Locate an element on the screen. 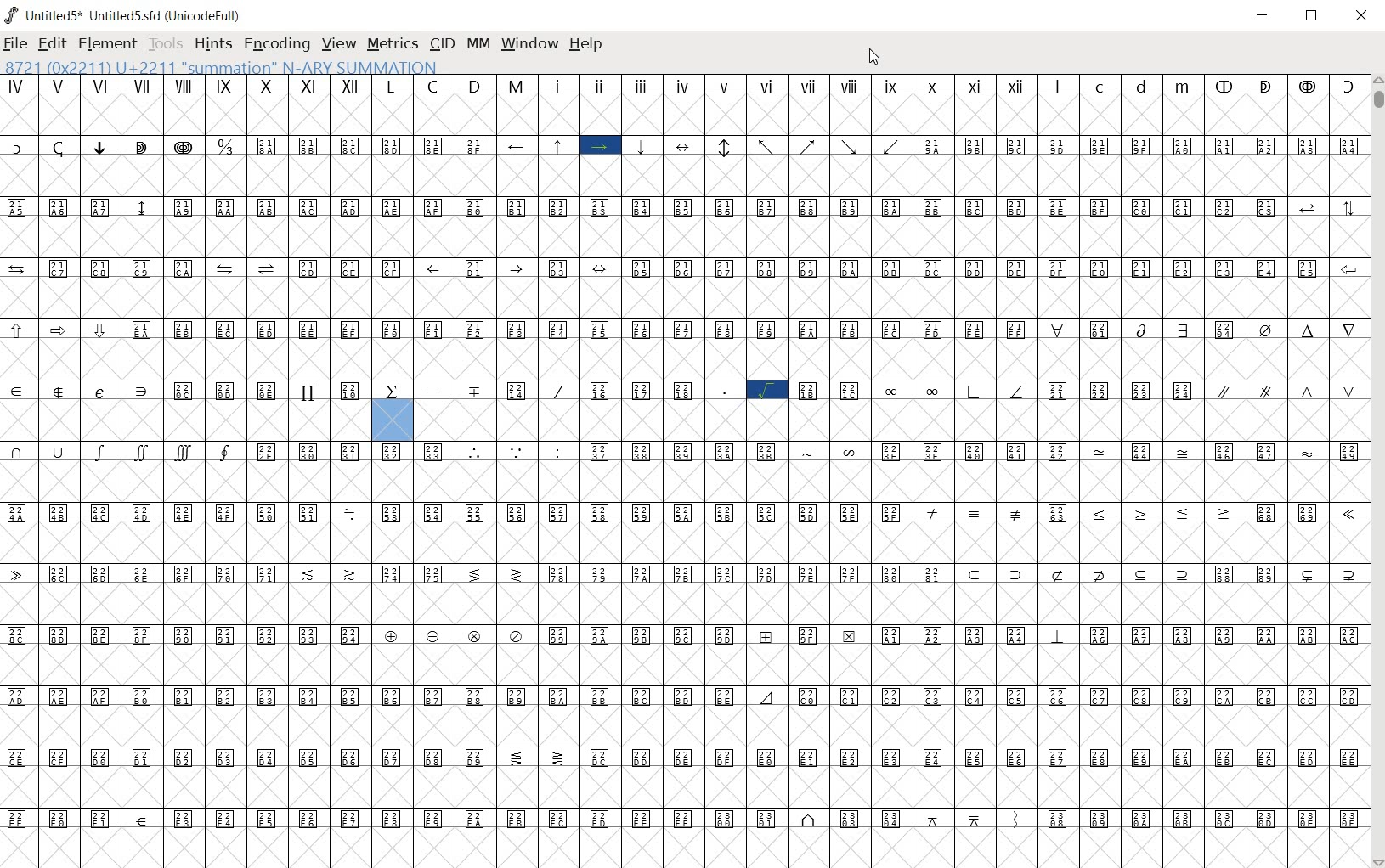  8721 (0X2211) U+2211 "summation" N-ARY SUMMATION is located at coordinates (221, 66).